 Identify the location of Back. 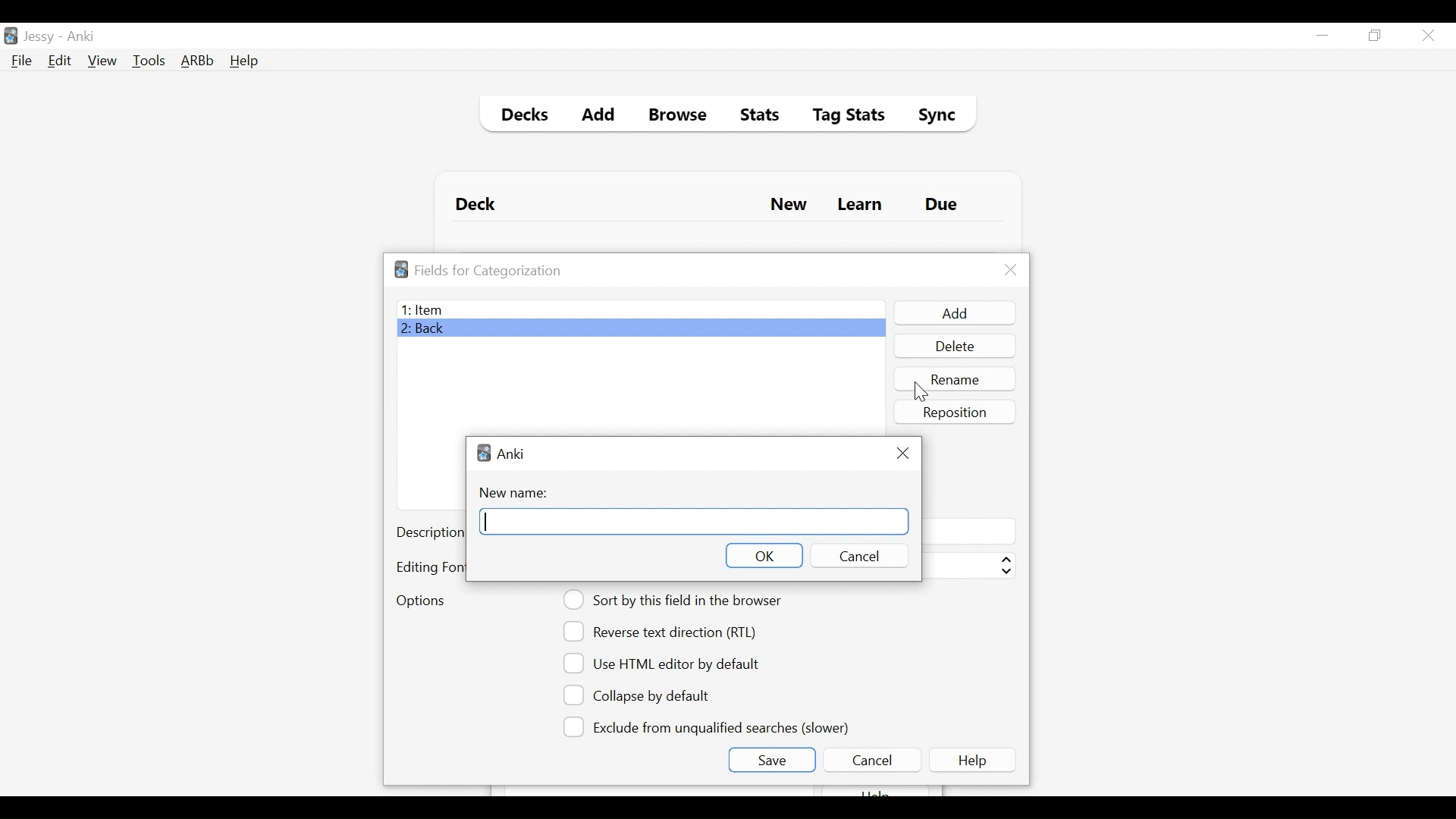
(427, 330).